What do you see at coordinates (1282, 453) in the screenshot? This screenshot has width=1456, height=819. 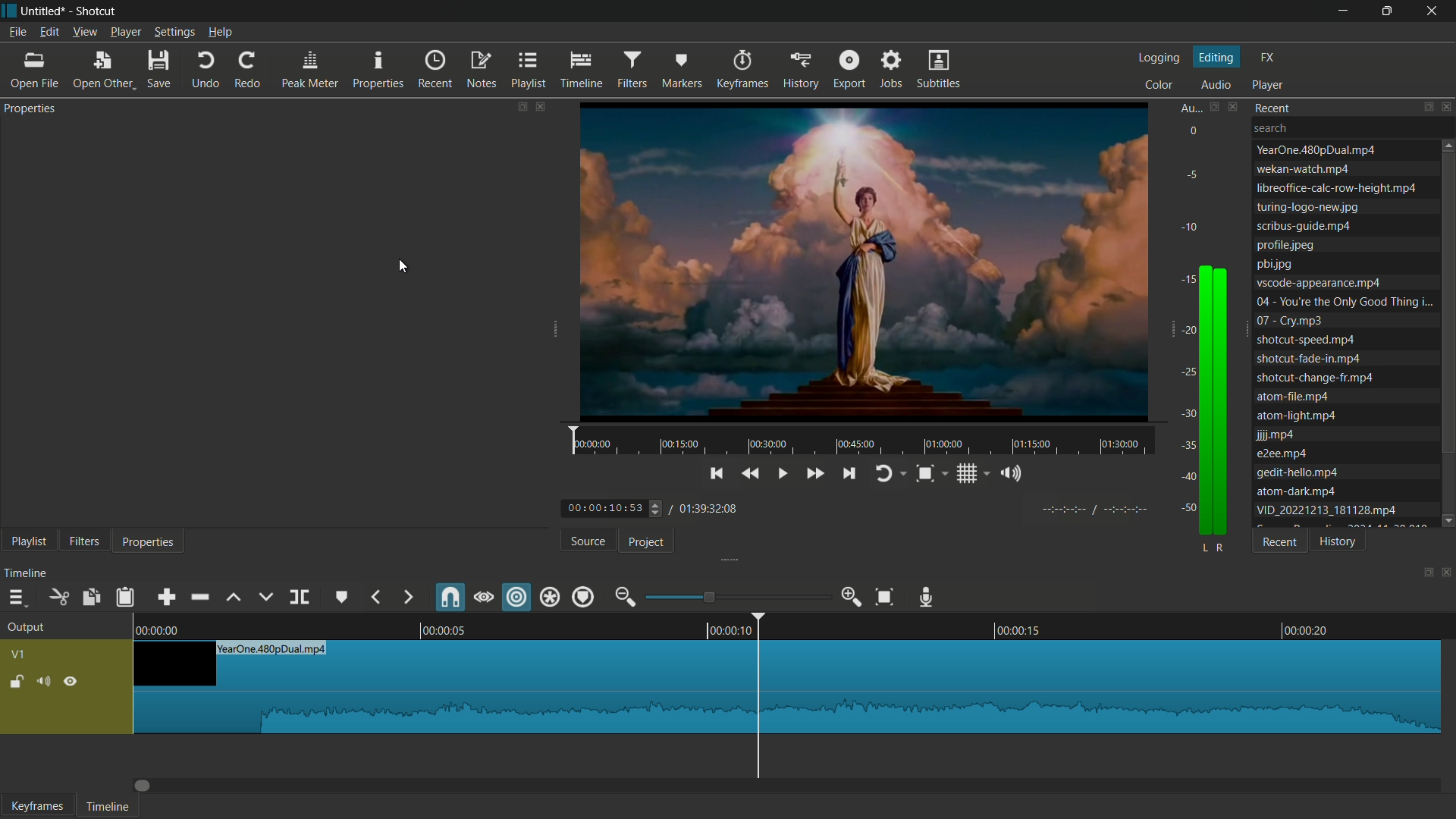 I see `file-17` at bounding box center [1282, 453].